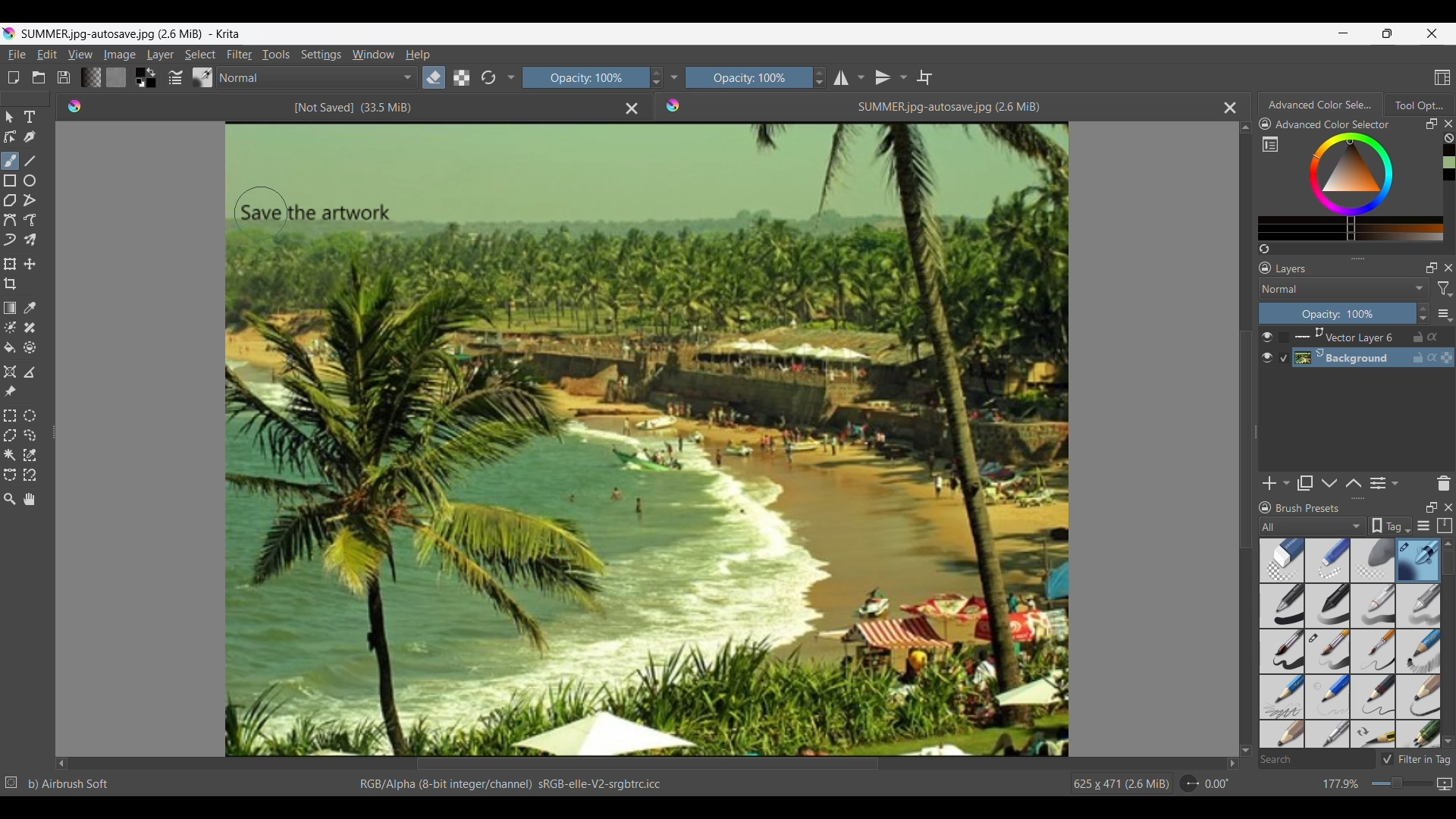 The width and height of the screenshot is (1456, 819). Describe the element at coordinates (153, 72) in the screenshot. I see `Interchange foreground and background colors` at that location.